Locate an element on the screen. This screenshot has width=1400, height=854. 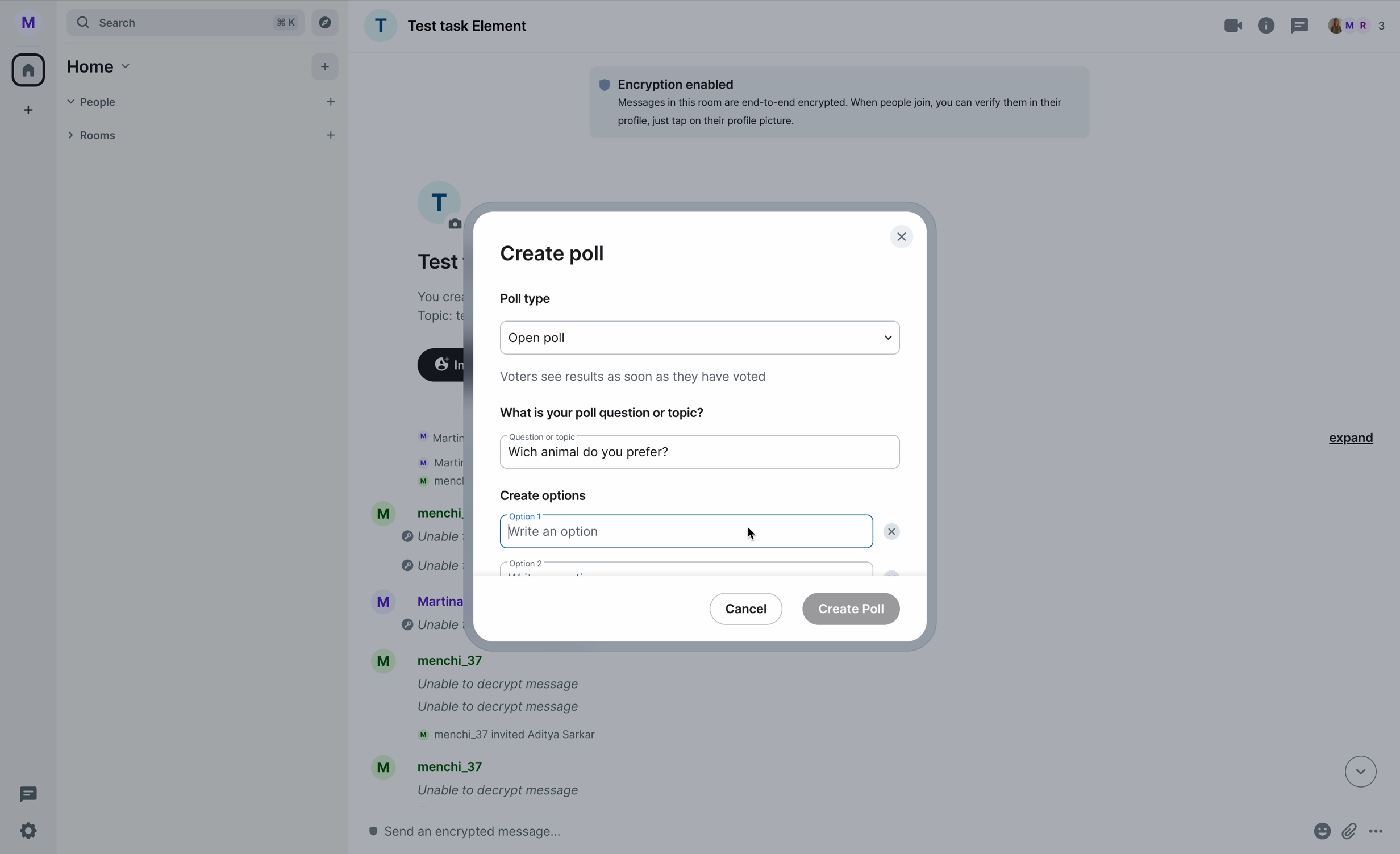
search tab is located at coordinates (185, 22).